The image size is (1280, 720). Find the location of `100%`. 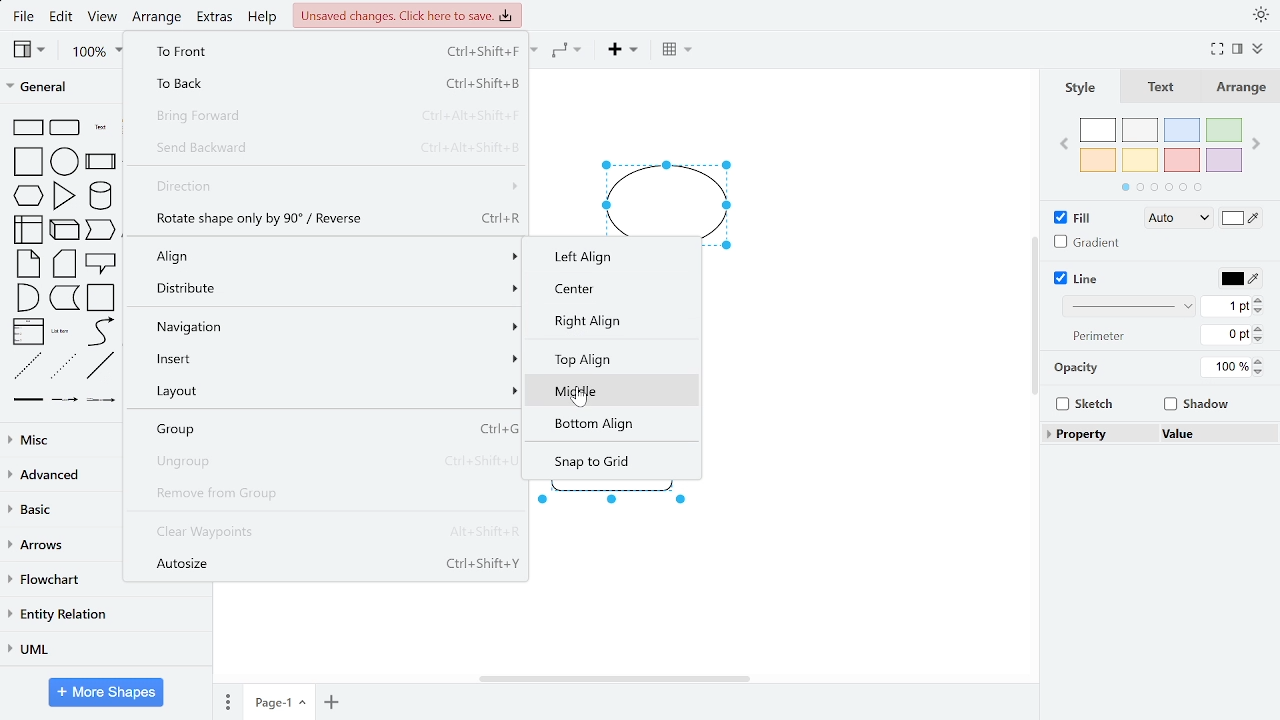

100% is located at coordinates (1223, 367).